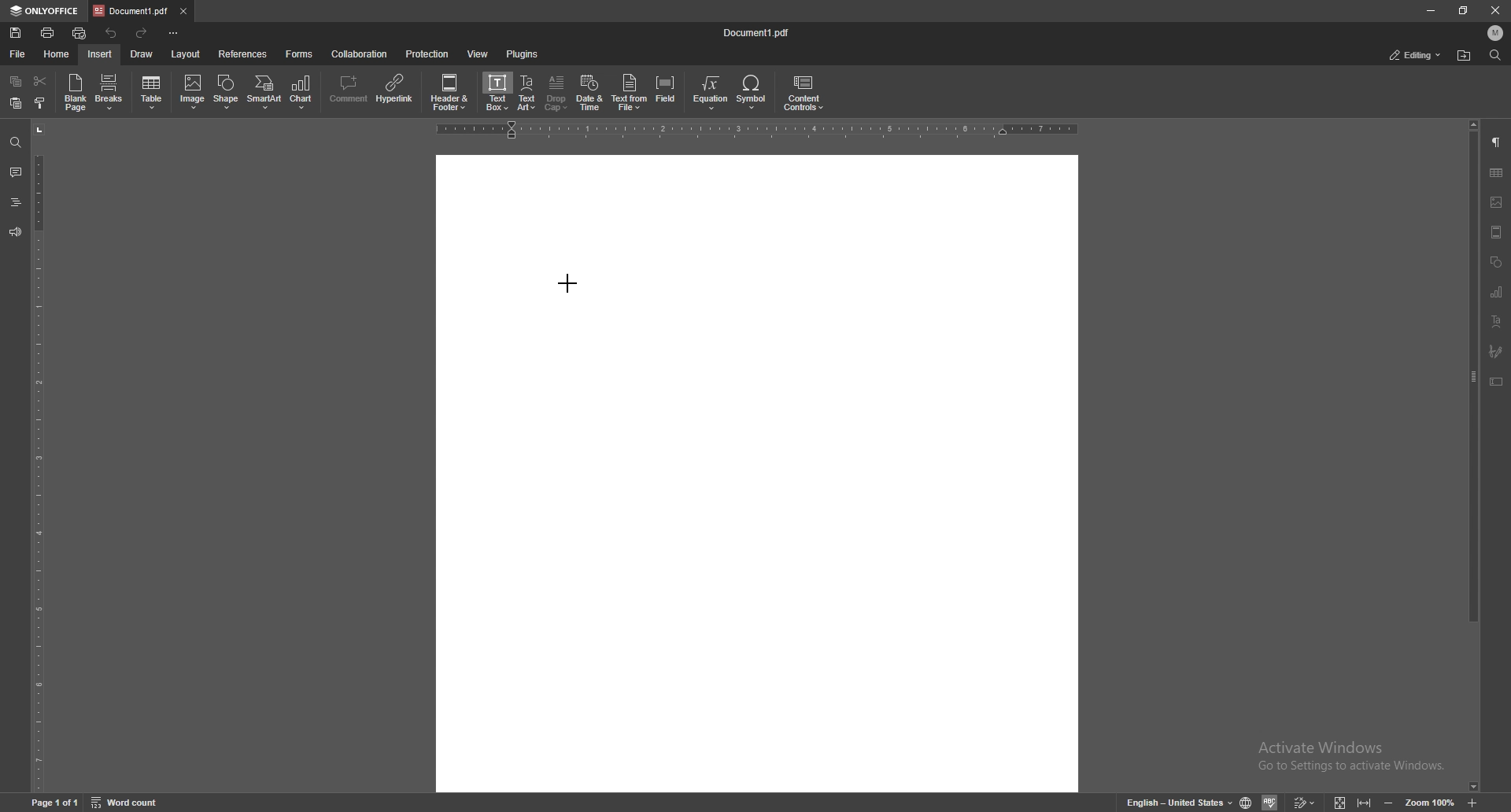 The height and width of the screenshot is (812, 1511). I want to click on shape, so click(227, 92).